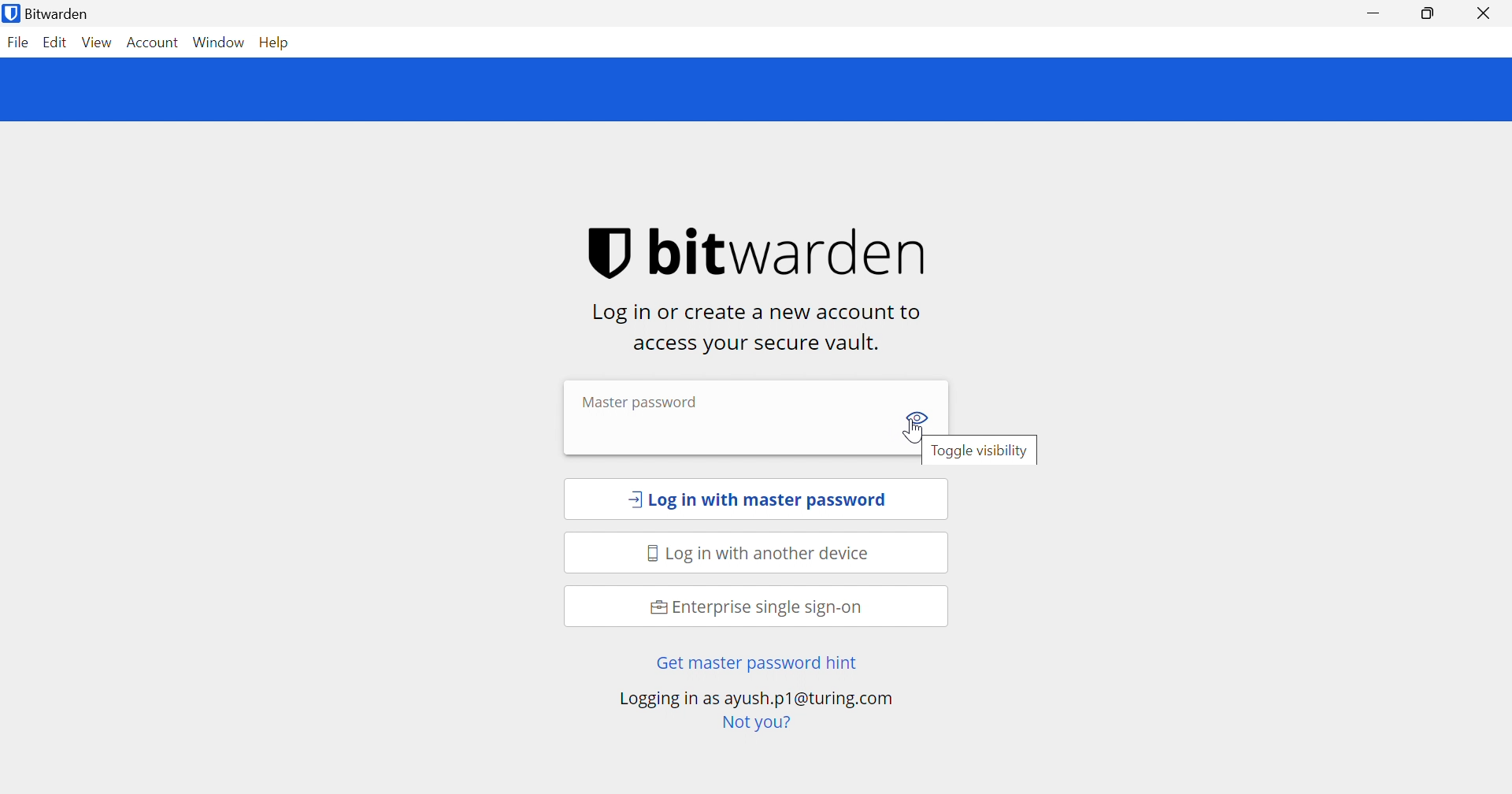 The image size is (1512, 794). Describe the element at coordinates (766, 253) in the screenshot. I see `bitwarden` at that location.